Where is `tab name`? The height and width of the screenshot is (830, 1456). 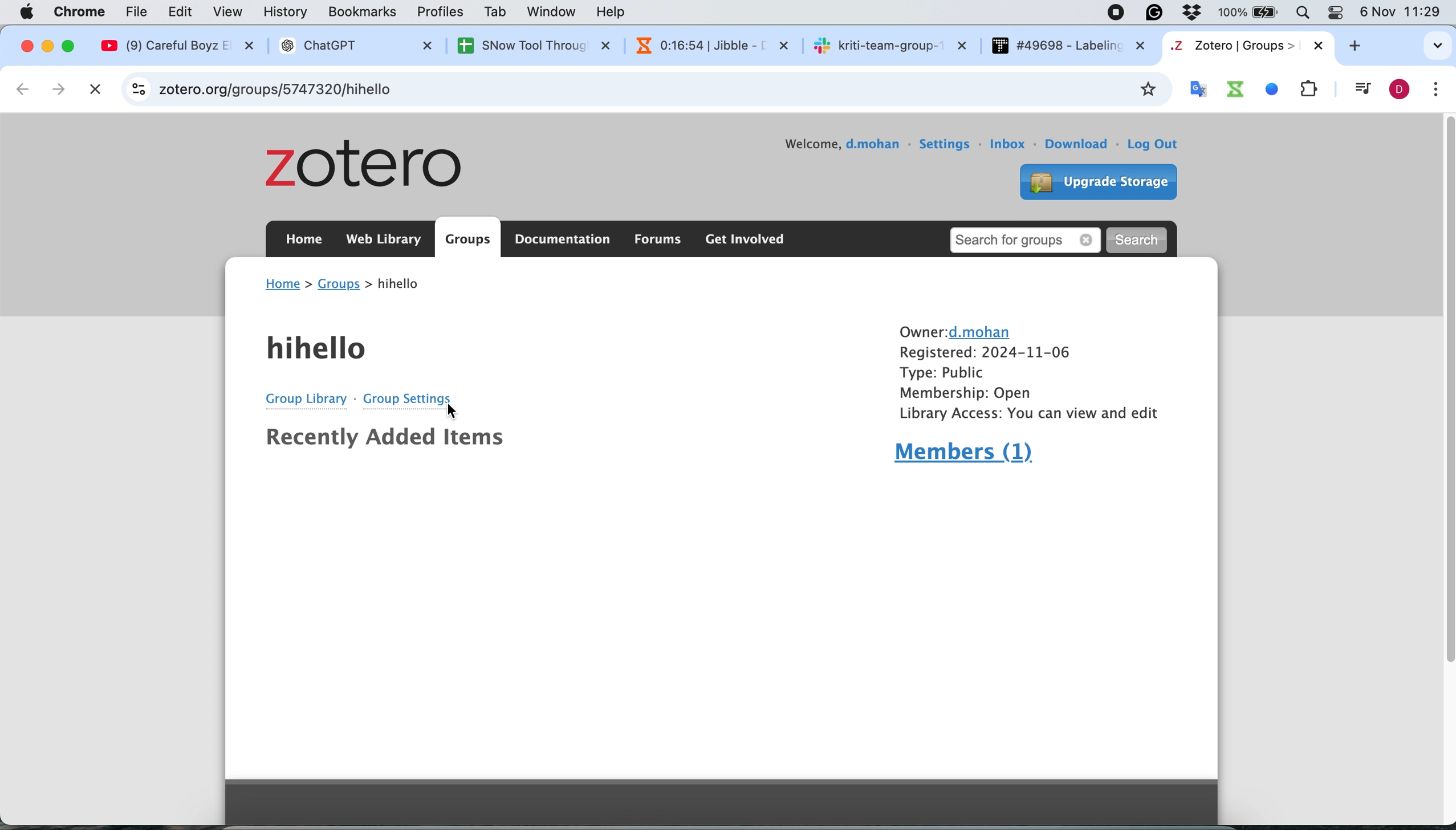 tab name is located at coordinates (1246, 46).